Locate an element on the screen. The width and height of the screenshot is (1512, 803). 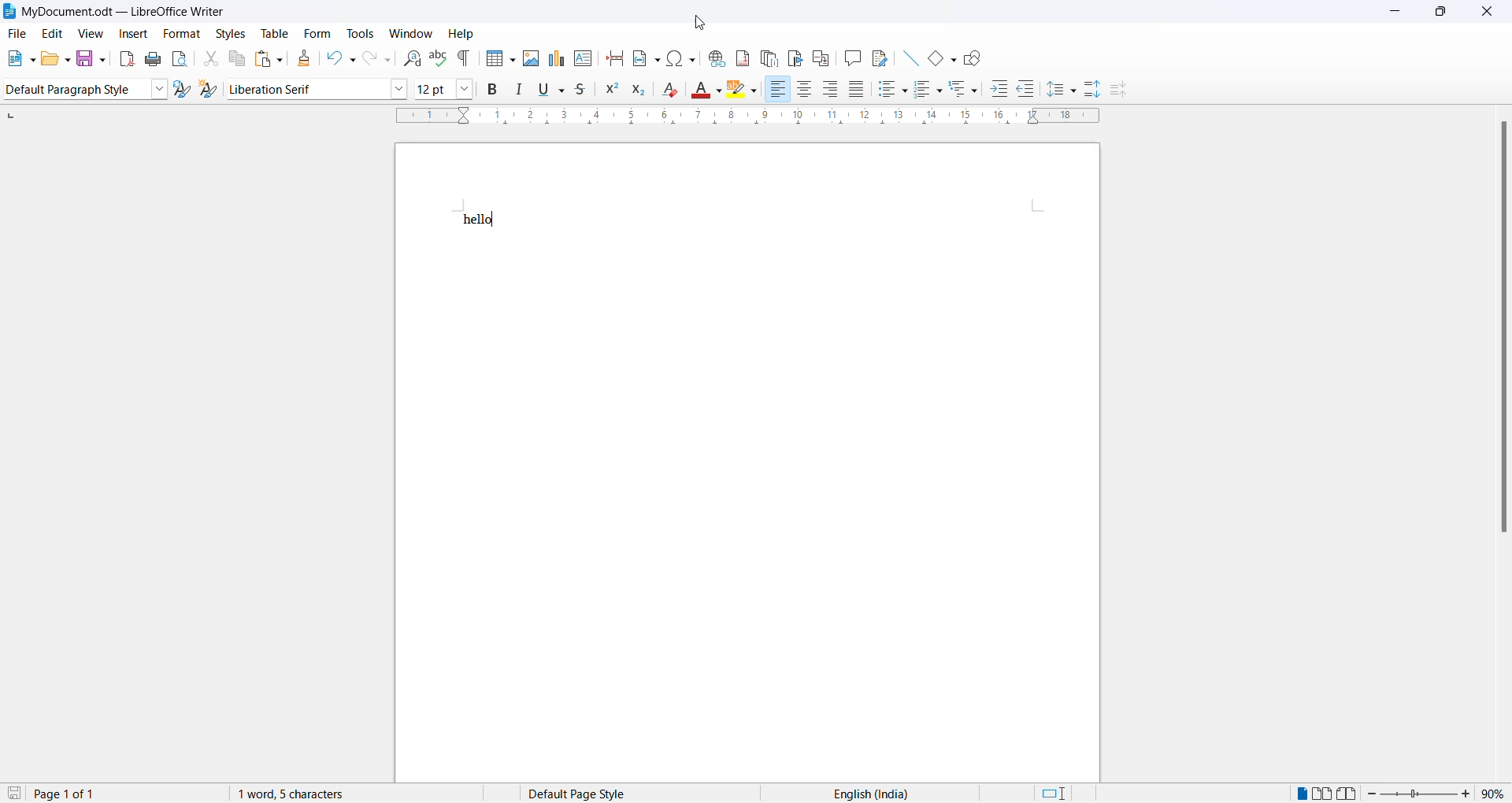
Insert line is located at coordinates (910, 59).